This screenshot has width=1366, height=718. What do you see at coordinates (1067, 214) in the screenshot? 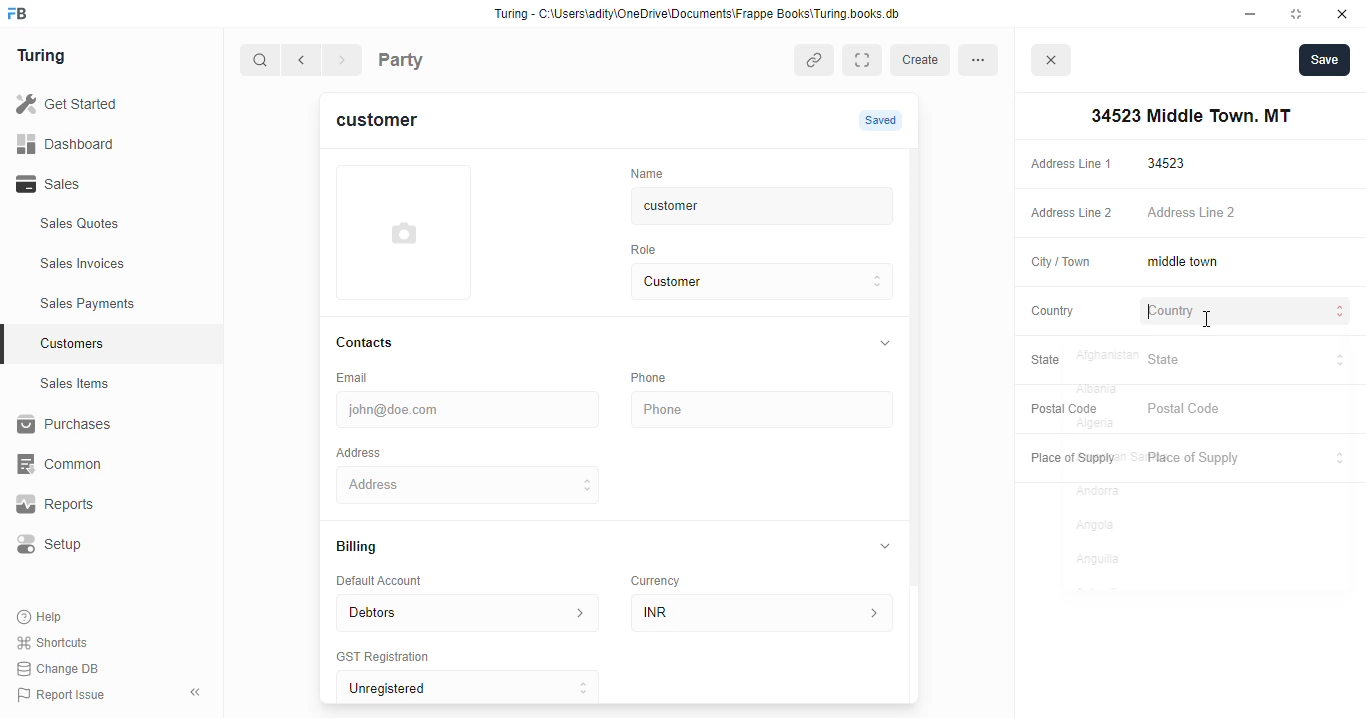
I see `Address Line 2` at bounding box center [1067, 214].